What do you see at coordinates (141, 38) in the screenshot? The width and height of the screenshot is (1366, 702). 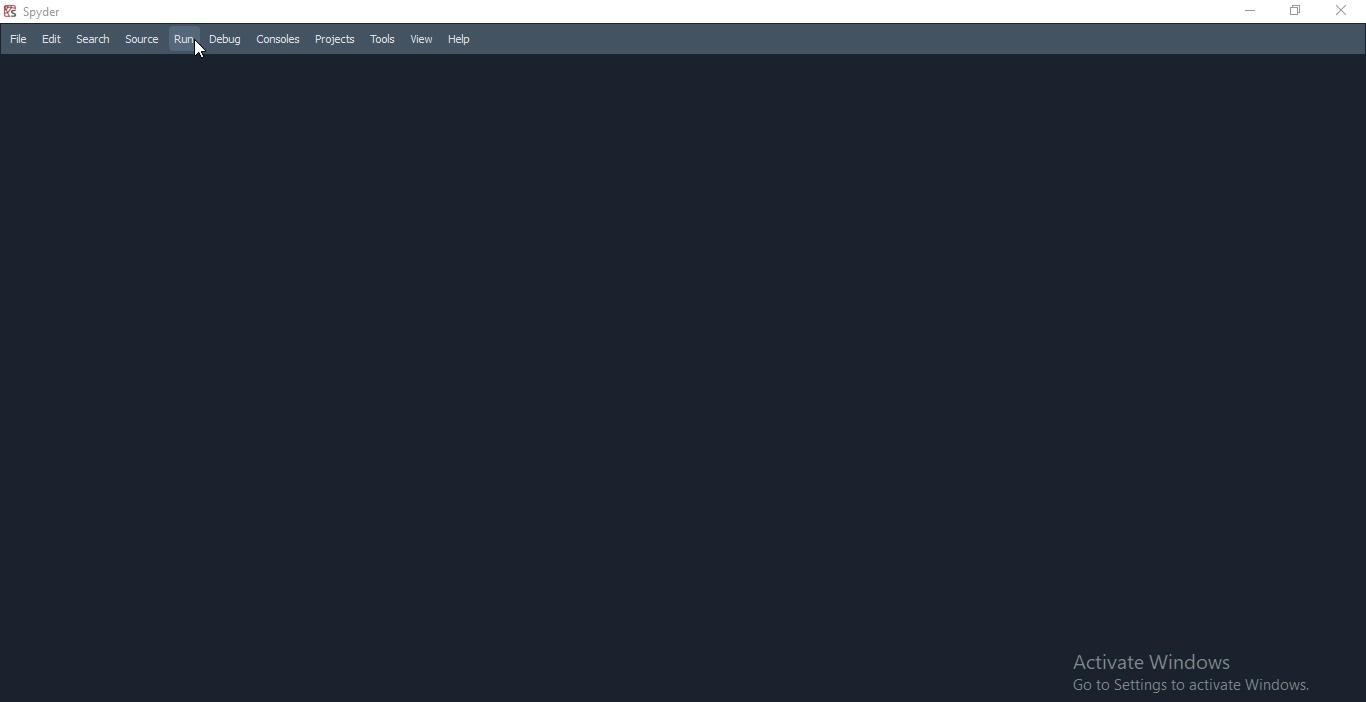 I see `Source` at bounding box center [141, 38].